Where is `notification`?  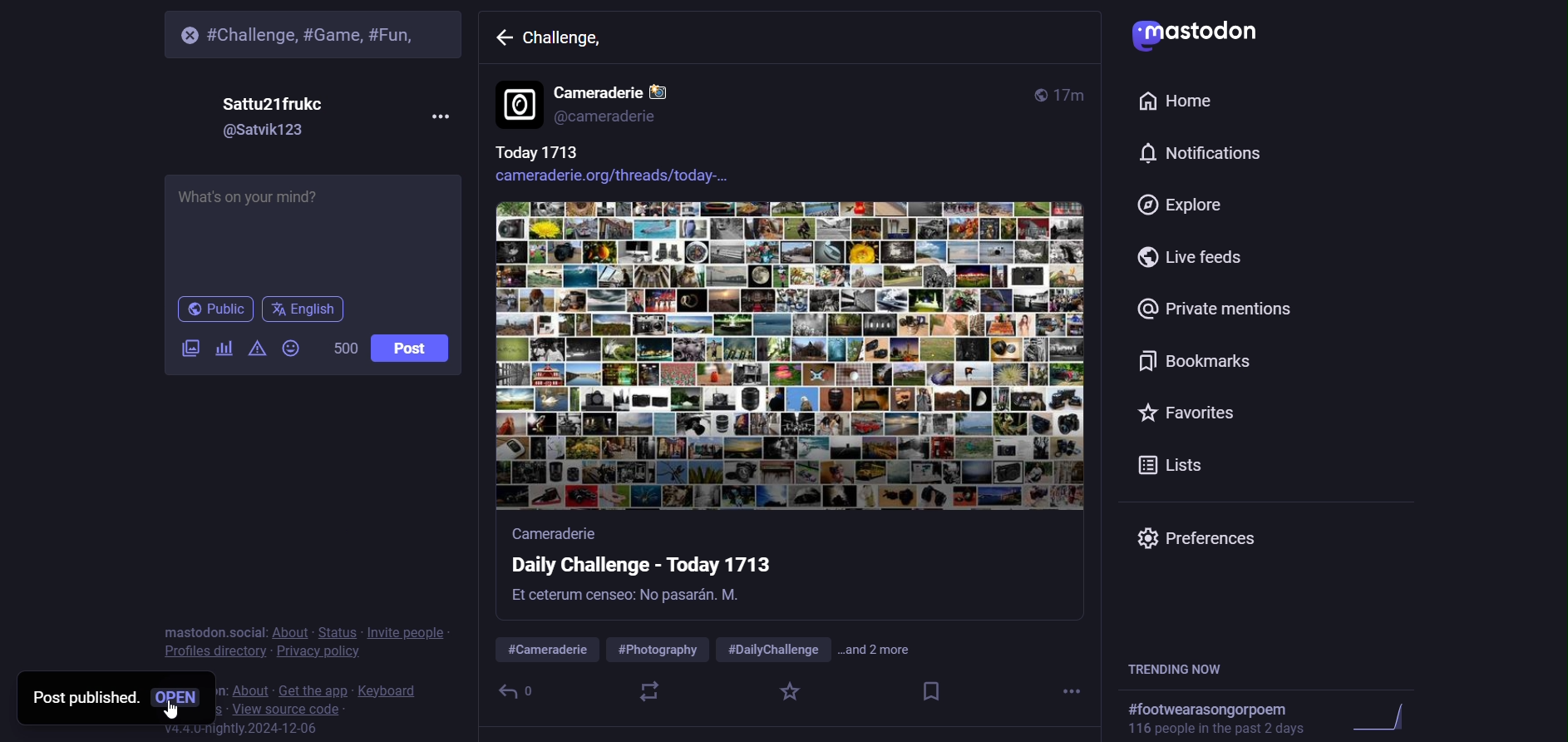
notification is located at coordinates (1196, 154).